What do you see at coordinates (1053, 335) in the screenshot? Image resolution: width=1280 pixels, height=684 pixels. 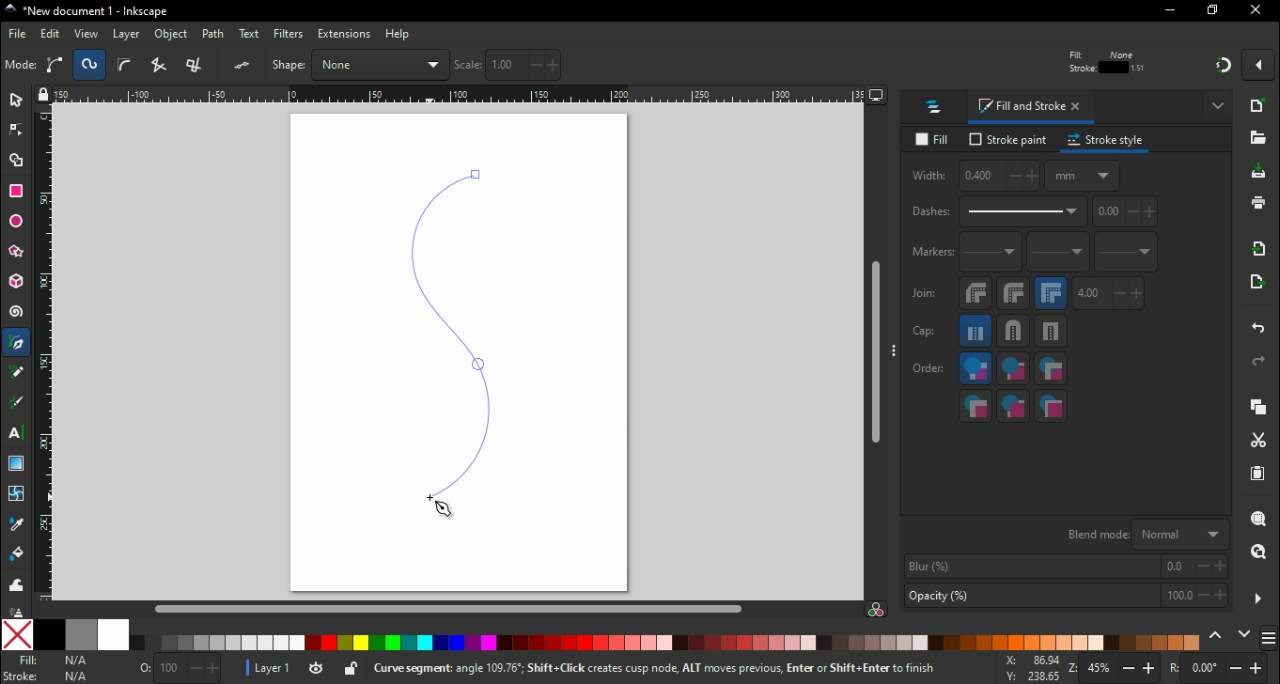 I see `square` at bounding box center [1053, 335].